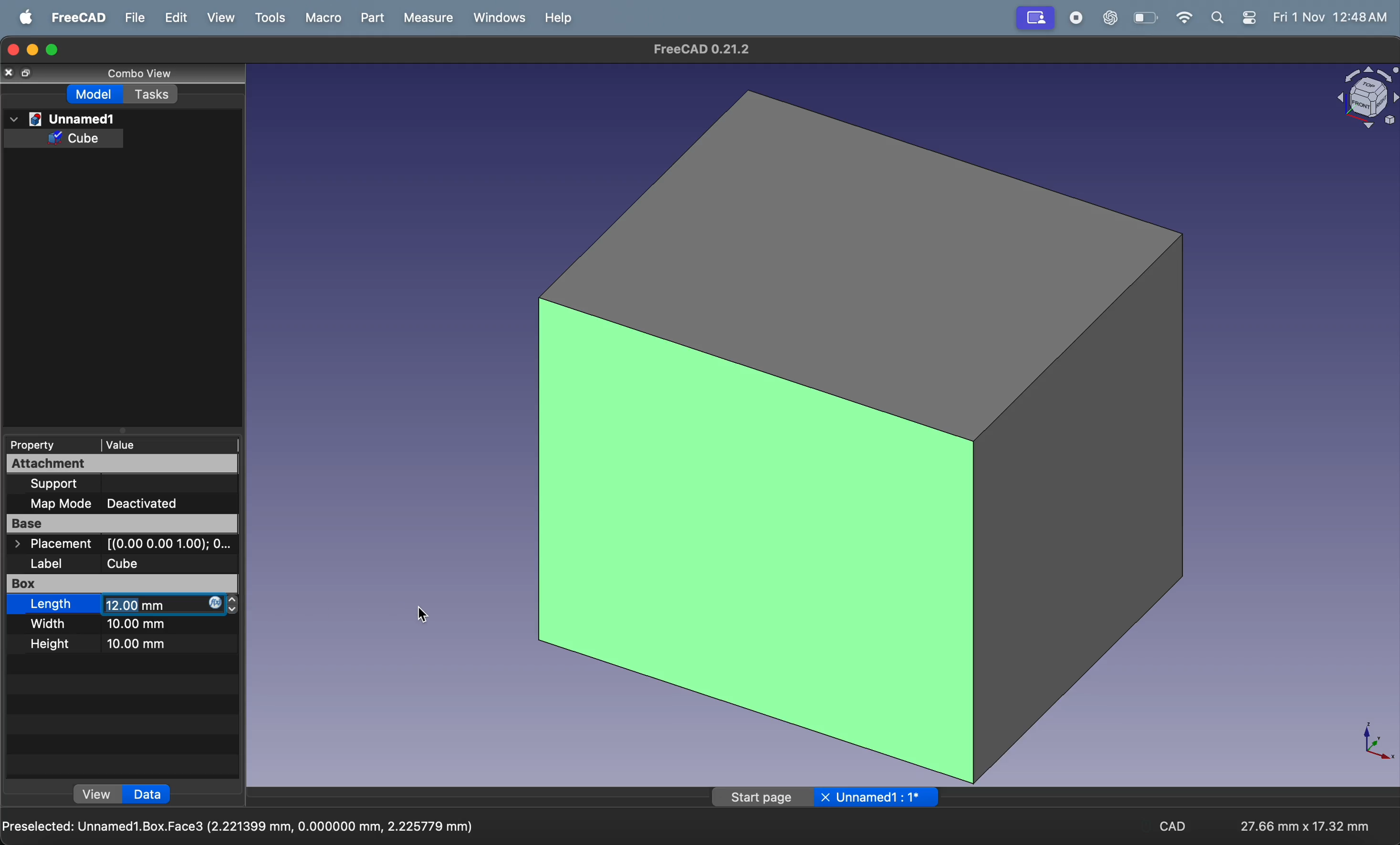  I want to click on cube, so click(77, 139).